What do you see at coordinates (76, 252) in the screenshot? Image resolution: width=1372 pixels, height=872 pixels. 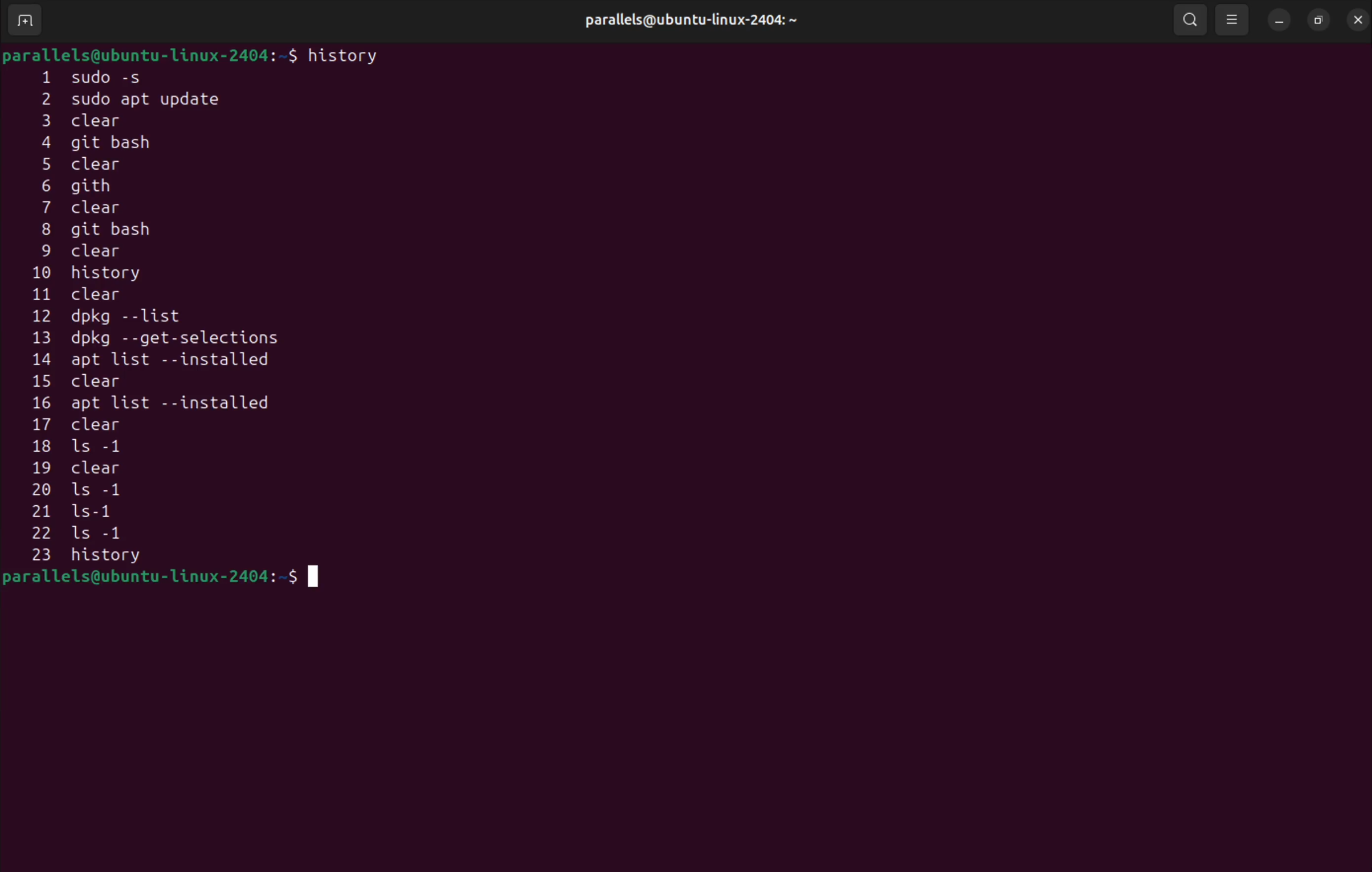 I see `9 clear` at bounding box center [76, 252].